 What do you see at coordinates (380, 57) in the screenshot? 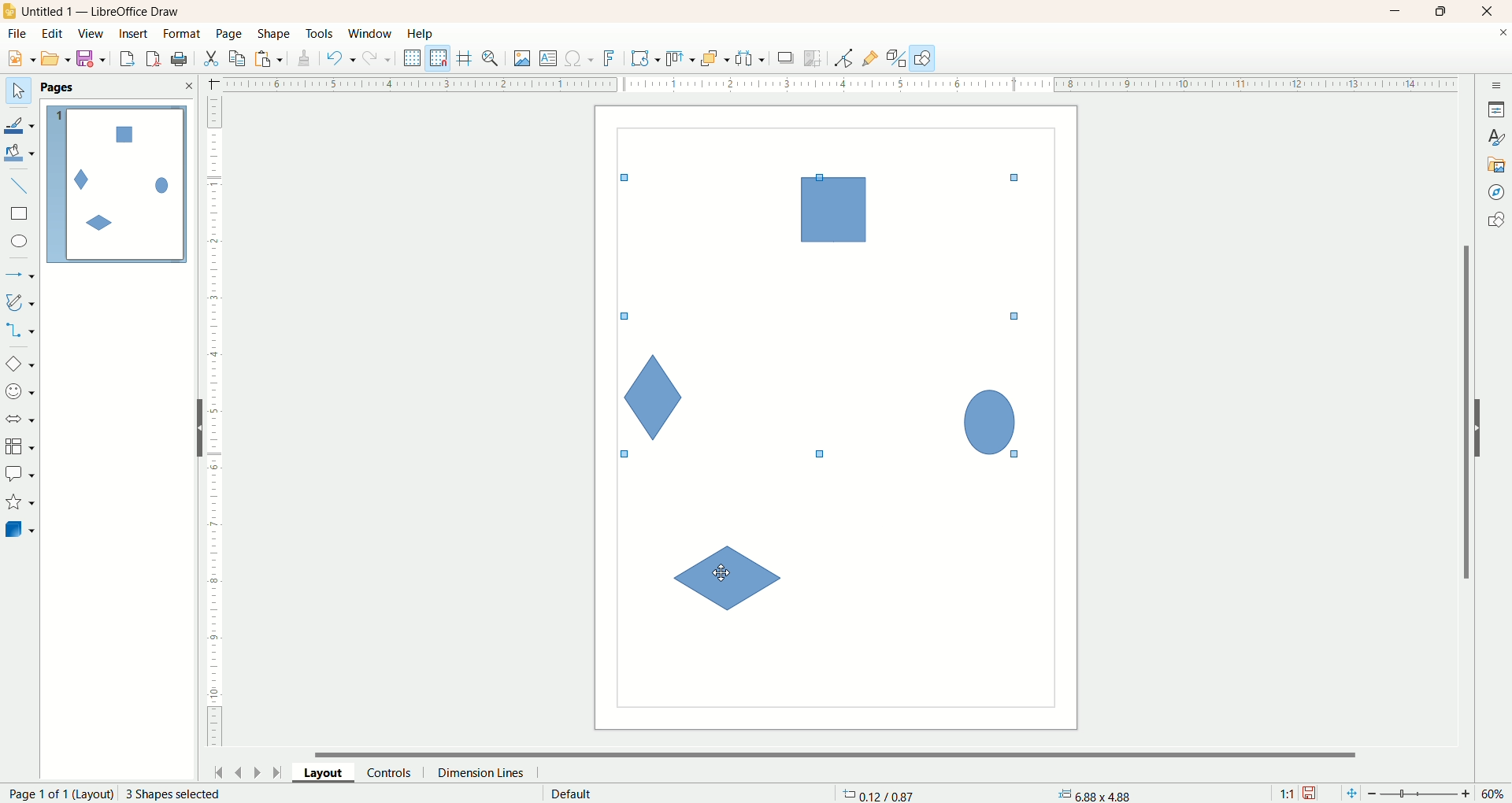
I see `redo` at bounding box center [380, 57].